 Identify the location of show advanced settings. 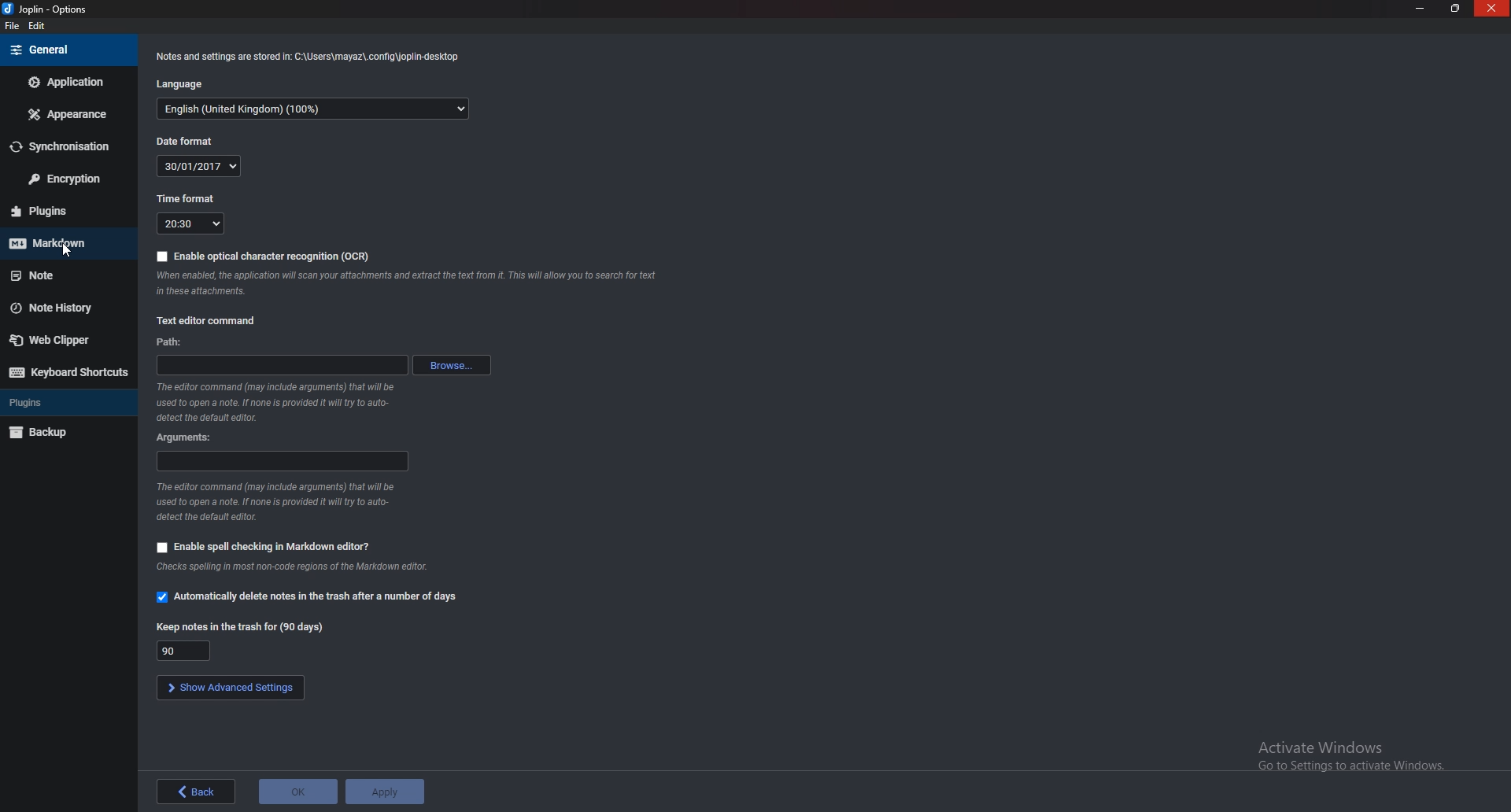
(231, 688).